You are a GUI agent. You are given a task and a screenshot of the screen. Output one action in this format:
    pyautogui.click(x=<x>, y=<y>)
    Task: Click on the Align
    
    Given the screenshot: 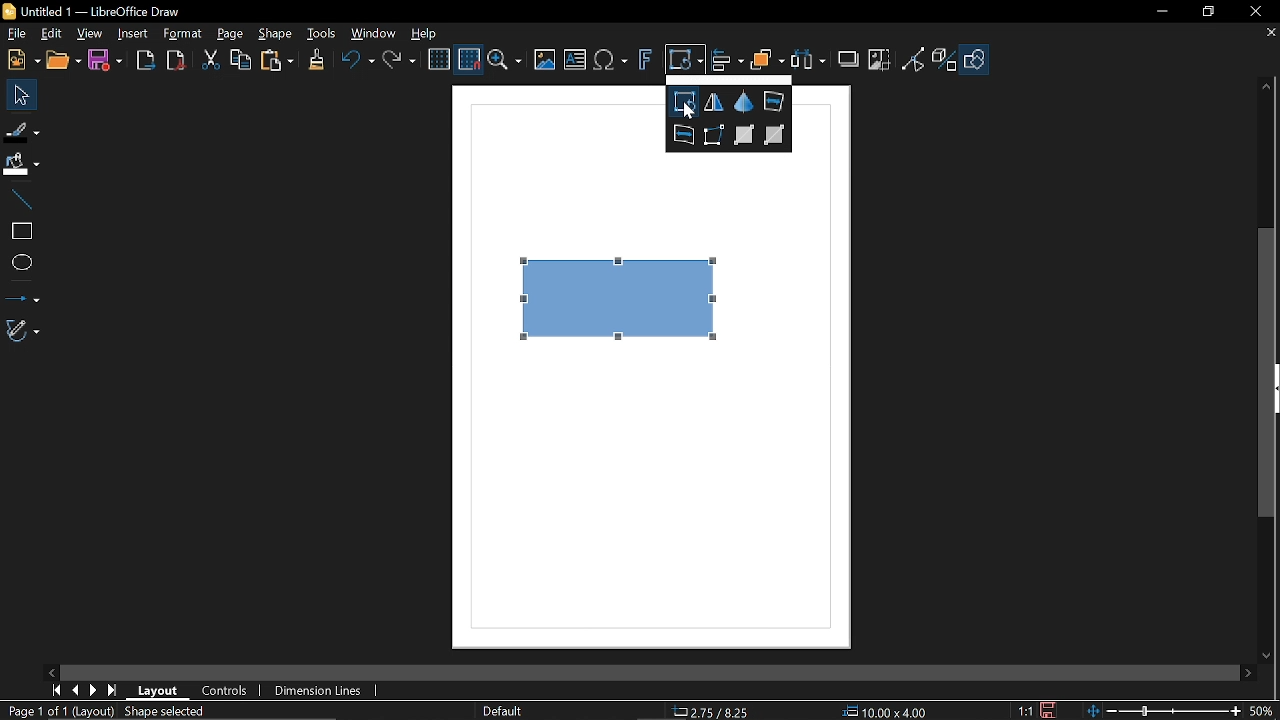 What is the action you would take?
    pyautogui.click(x=727, y=63)
    